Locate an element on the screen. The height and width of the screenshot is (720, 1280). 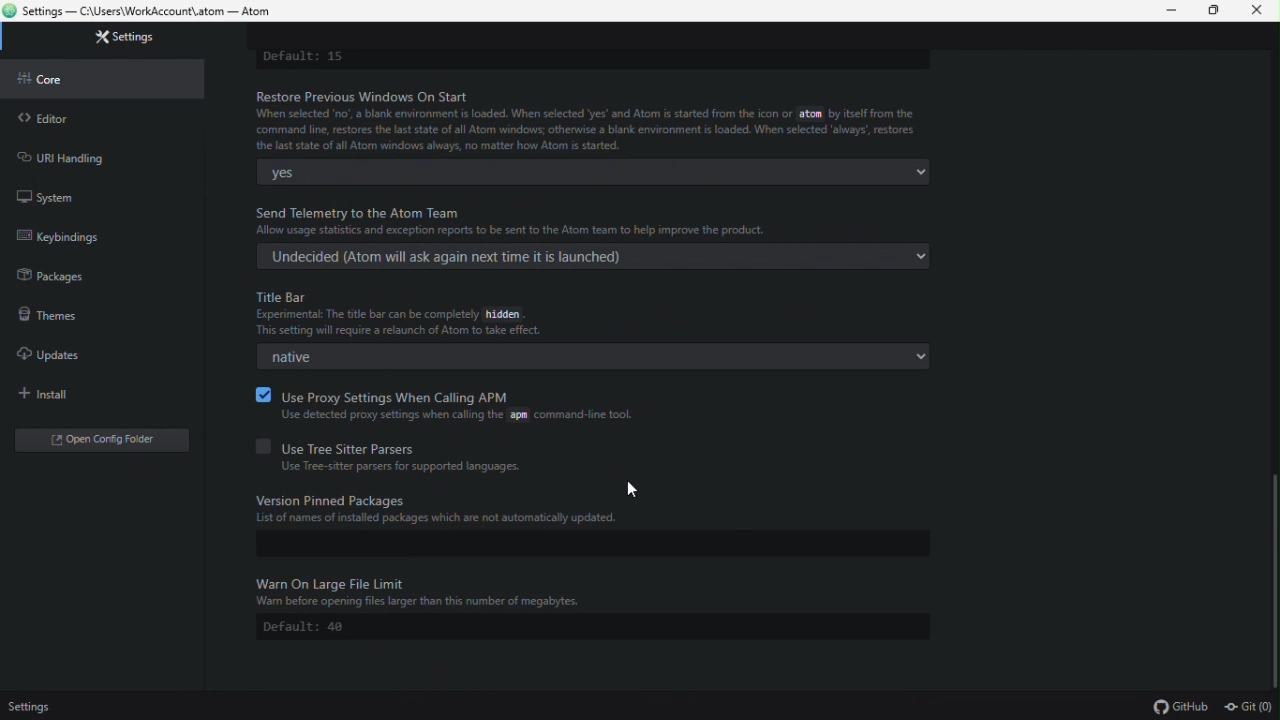
system is located at coordinates (45, 195).